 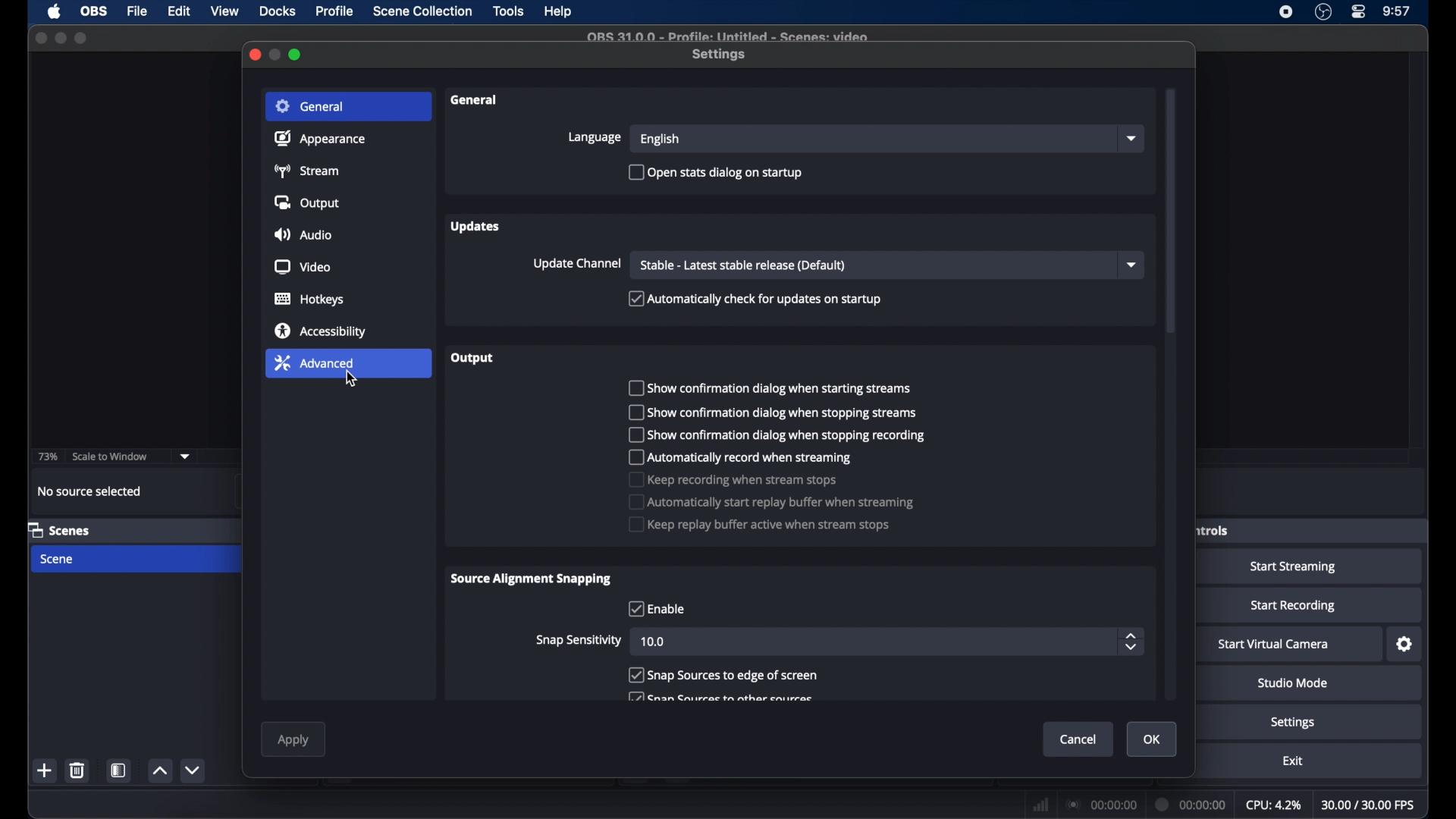 I want to click on advanced, so click(x=313, y=362).